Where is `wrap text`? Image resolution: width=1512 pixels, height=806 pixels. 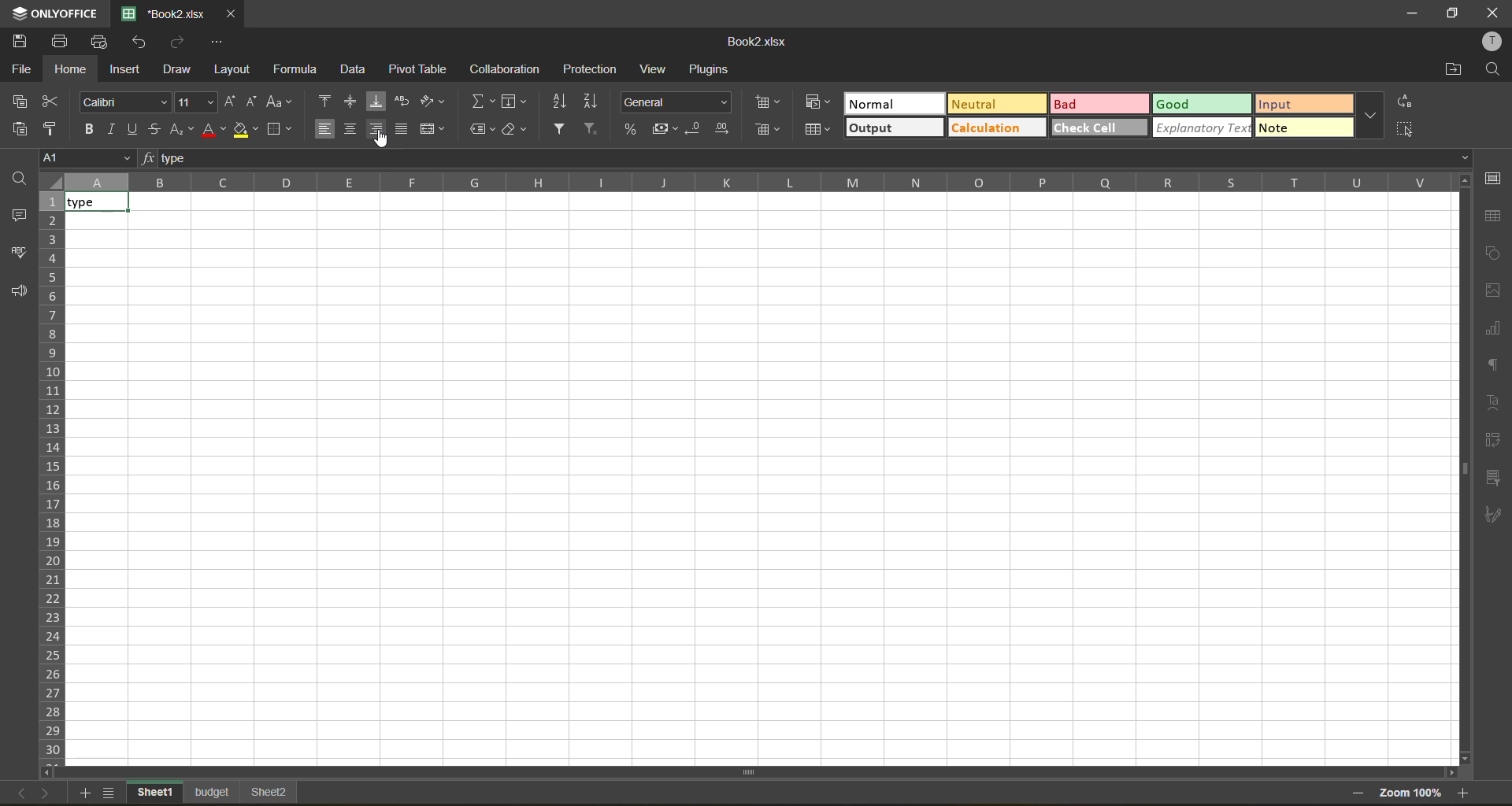
wrap text is located at coordinates (405, 104).